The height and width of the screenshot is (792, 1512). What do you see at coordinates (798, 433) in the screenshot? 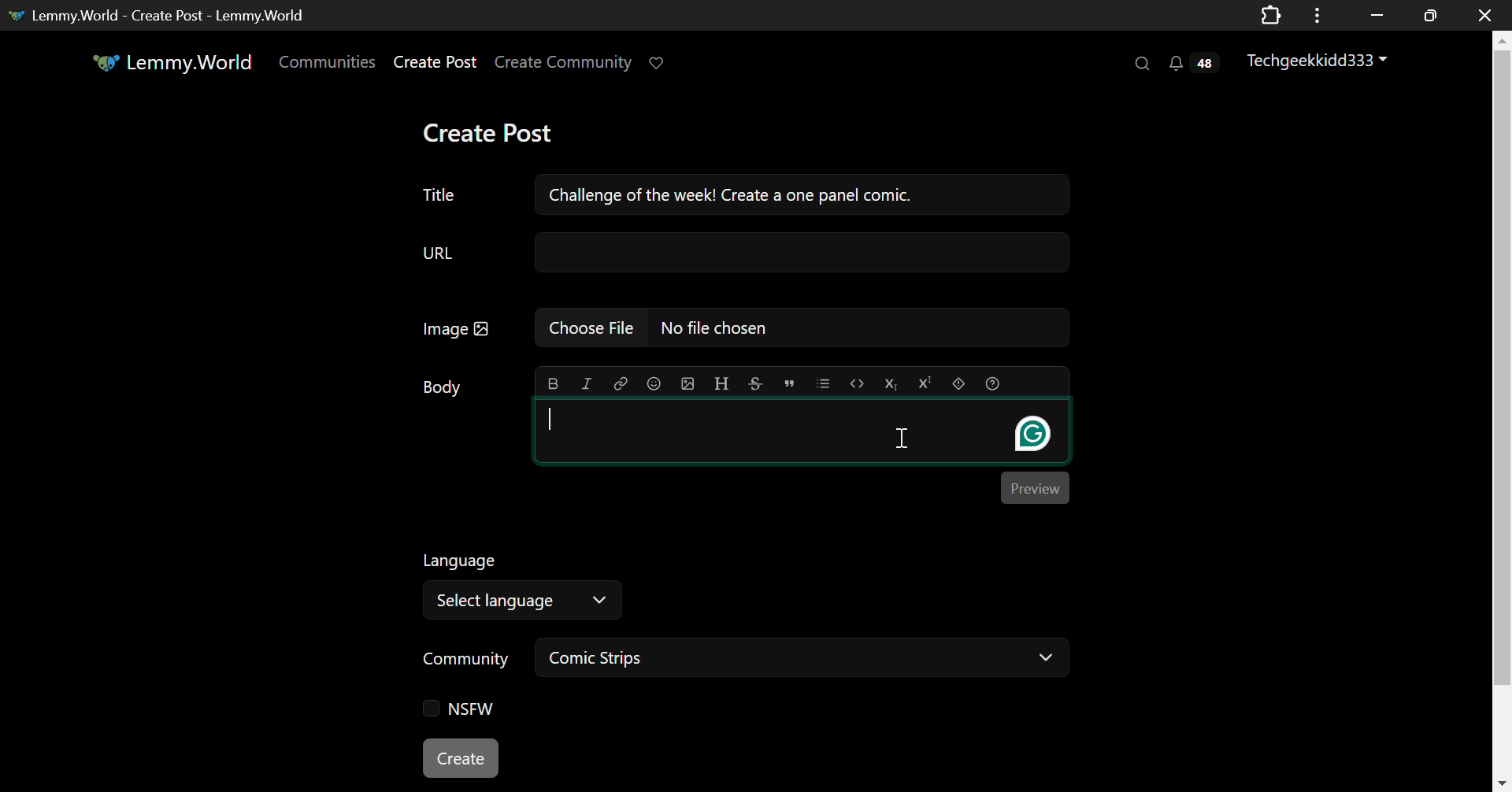
I see `Post Body Editing Textbox Selected` at bounding box center [798, 433].